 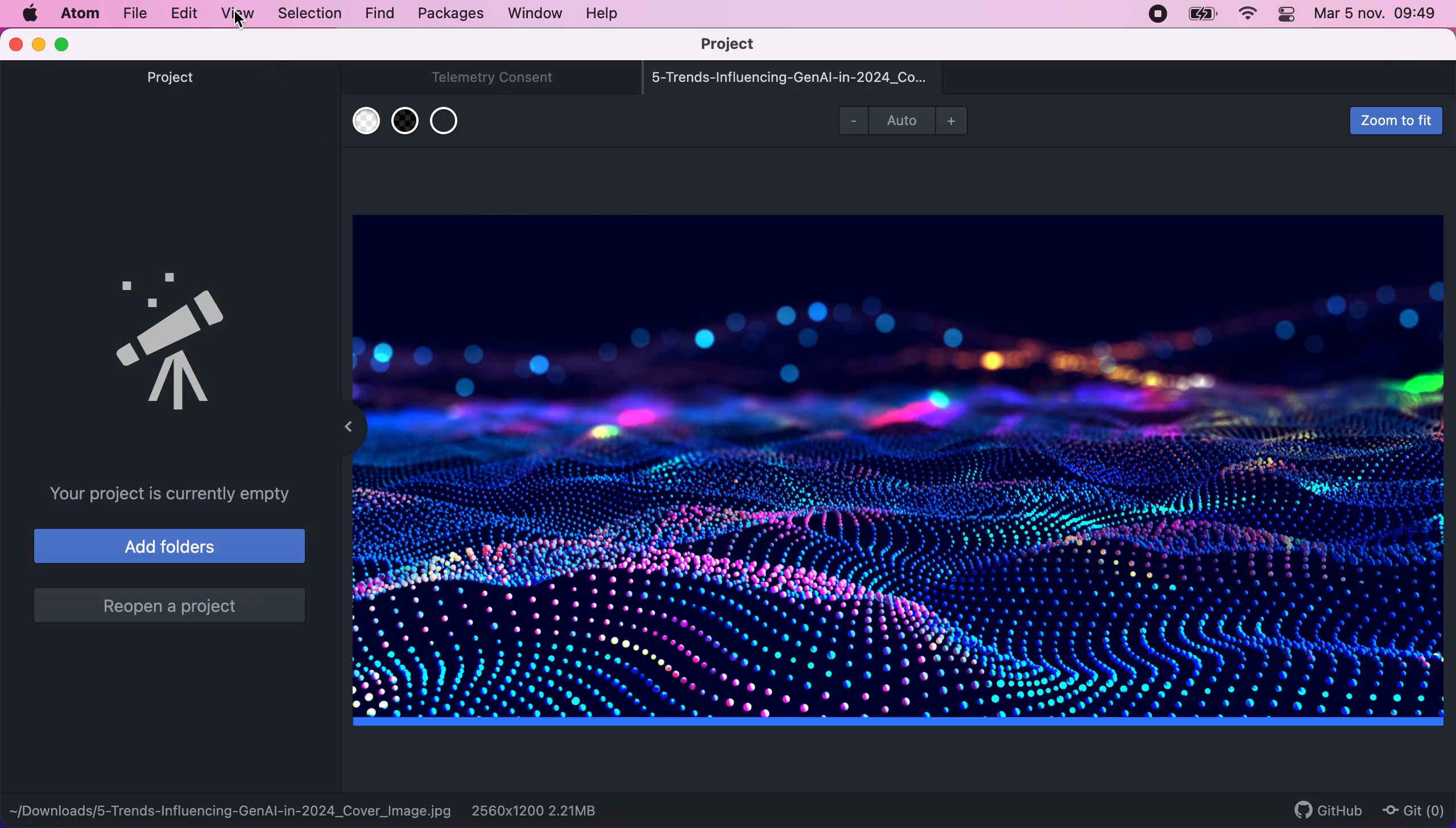 I want to click on cursor, so click(x=243, y=26).